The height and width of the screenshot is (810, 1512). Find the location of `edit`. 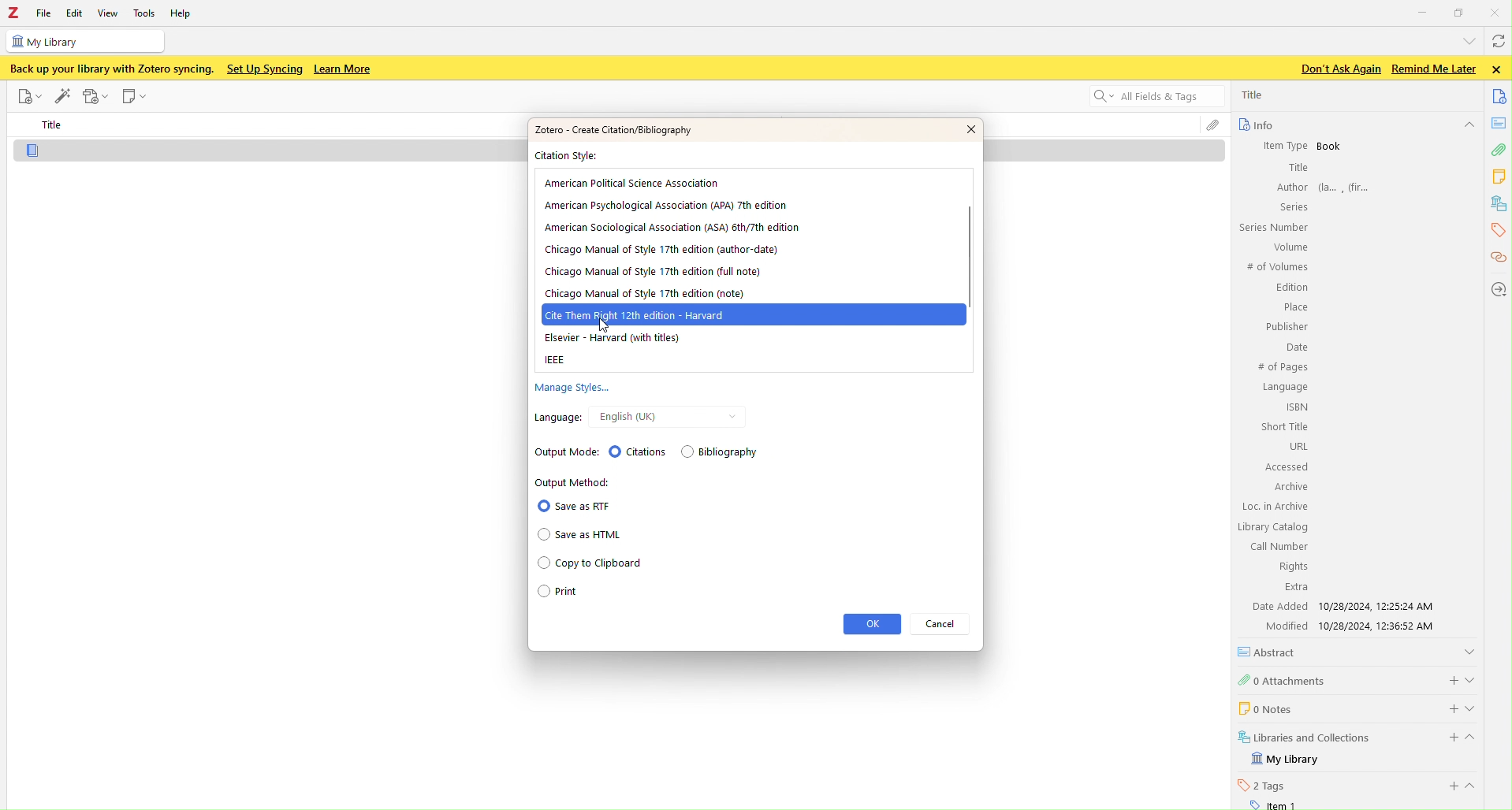

edit is located at coordinates (62, 94).